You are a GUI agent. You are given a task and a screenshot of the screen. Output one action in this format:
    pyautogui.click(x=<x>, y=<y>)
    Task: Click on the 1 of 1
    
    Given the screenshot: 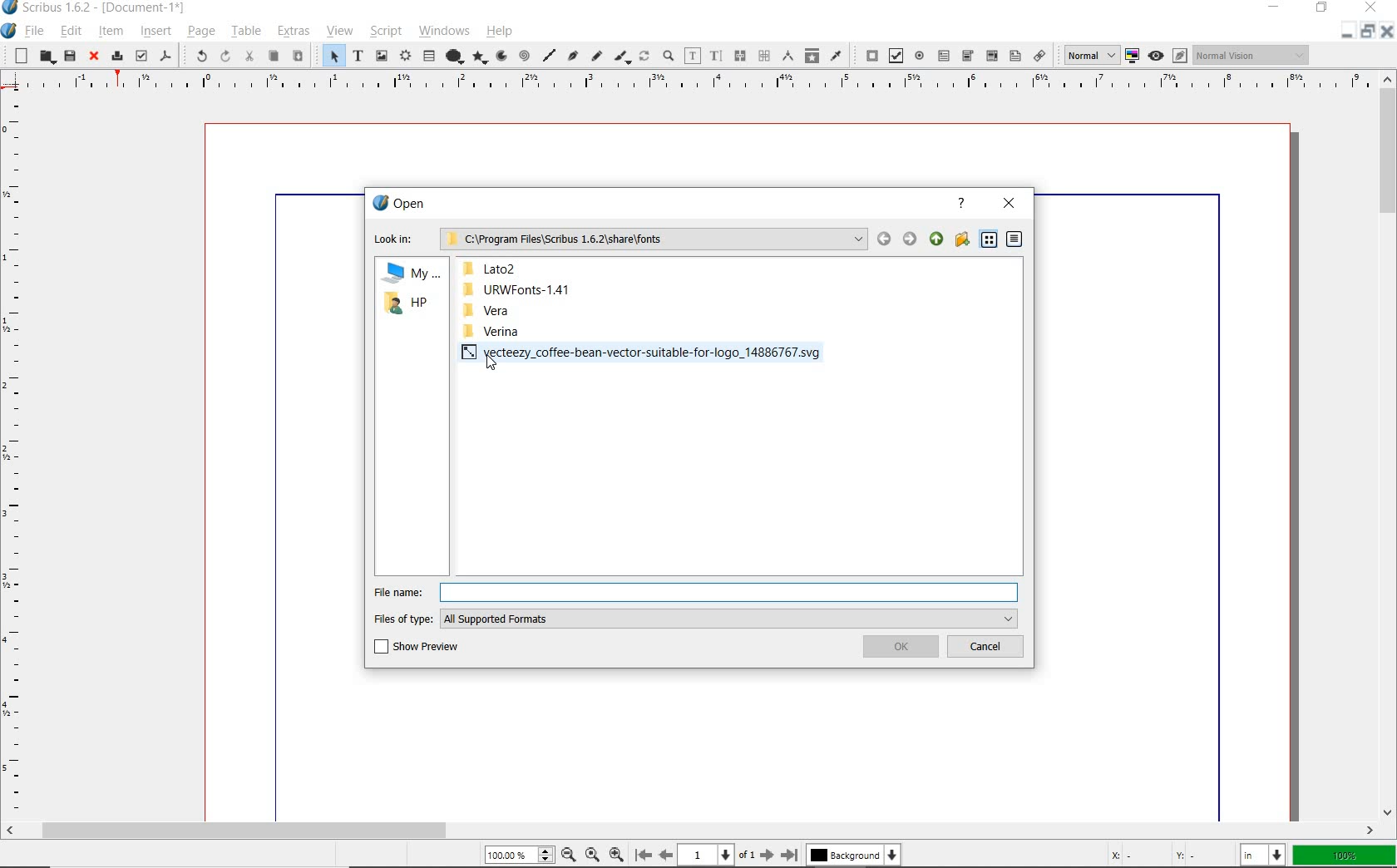 What is the action you would take?
    pyautogui.click(x=717, y=856)
    